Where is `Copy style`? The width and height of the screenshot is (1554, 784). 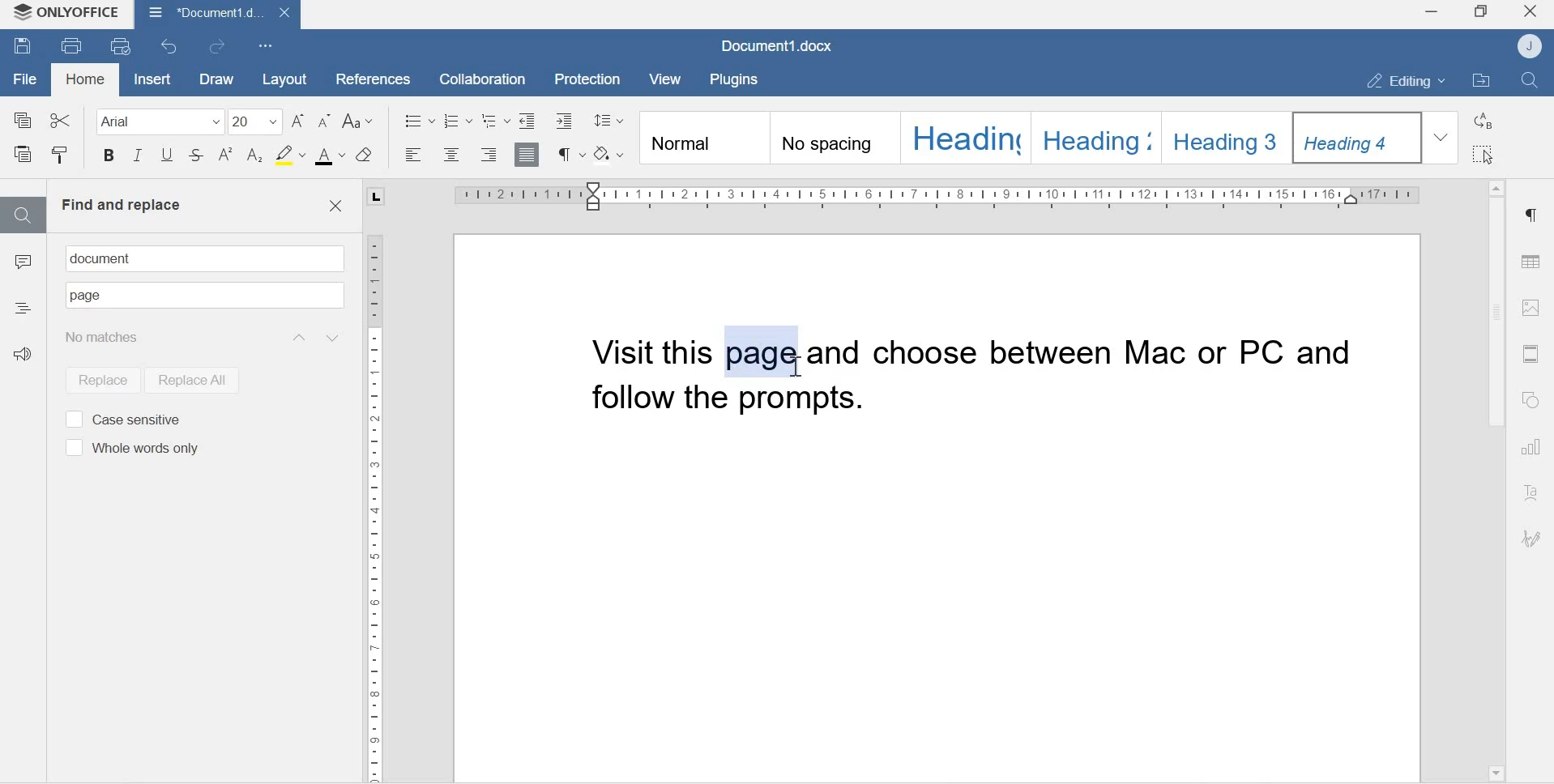
Copy style is located at coordinates (60, 156).